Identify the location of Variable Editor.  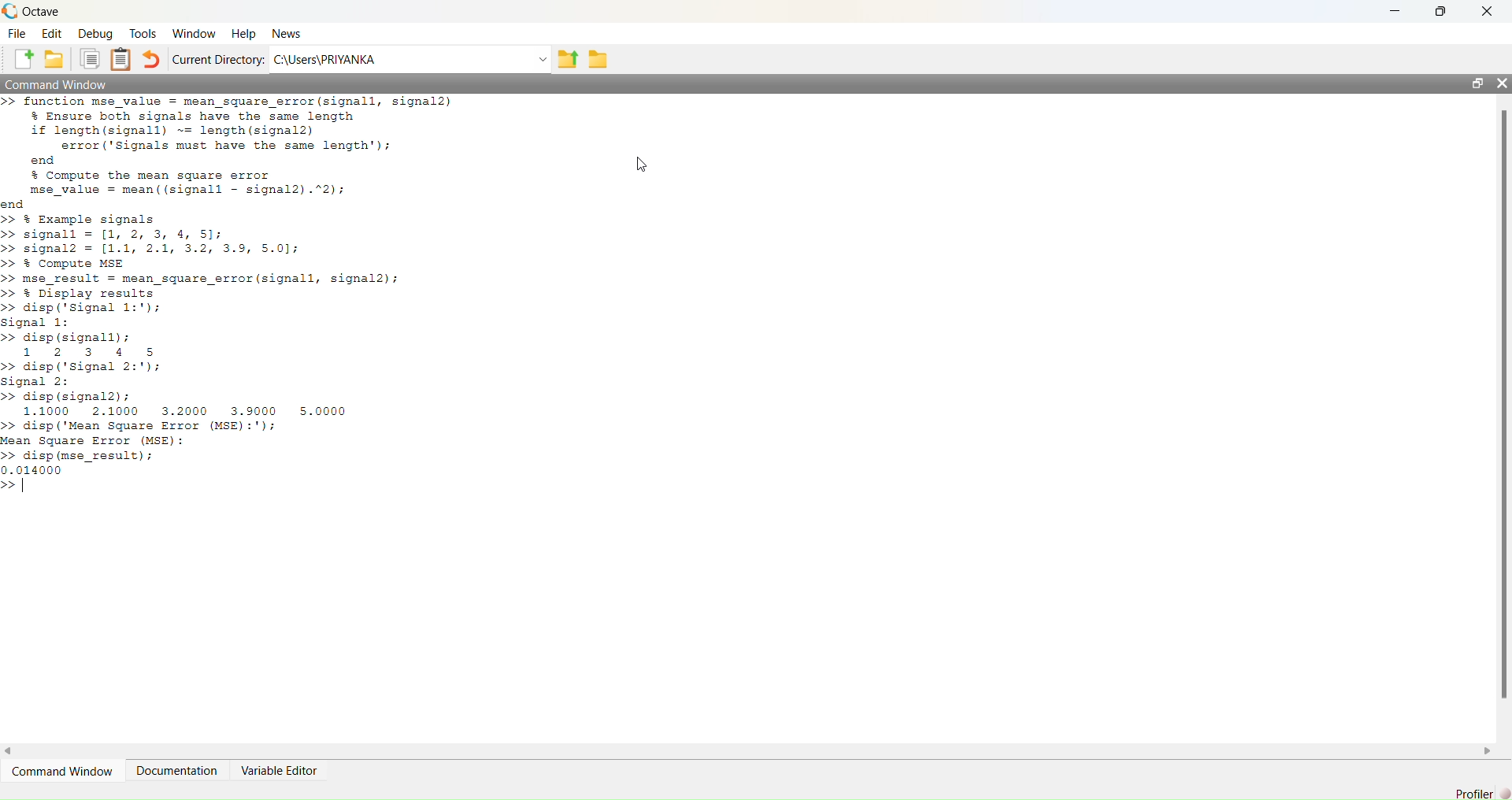
(279, 770).